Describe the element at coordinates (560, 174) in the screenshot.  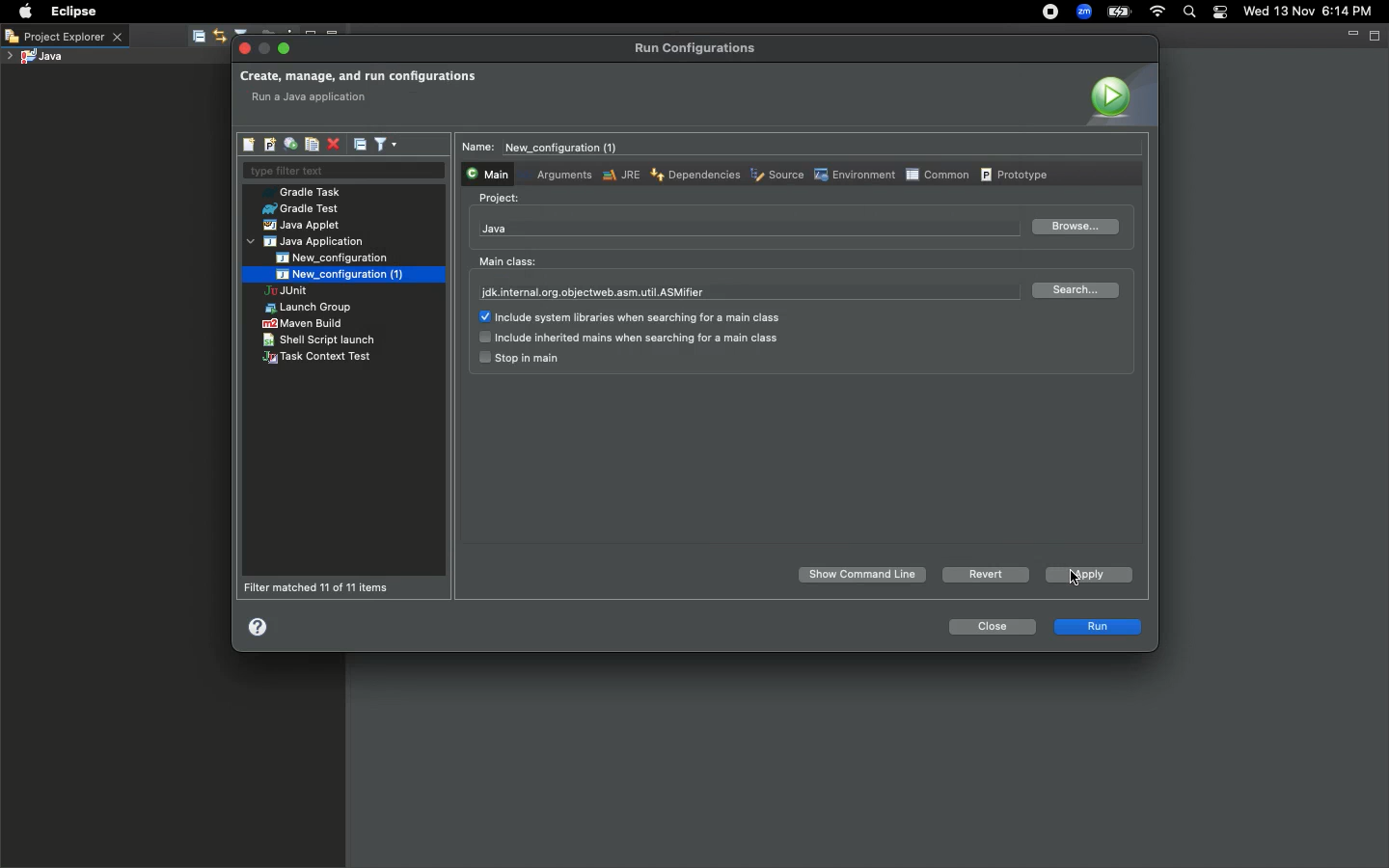
I see `Arguments` at that location.